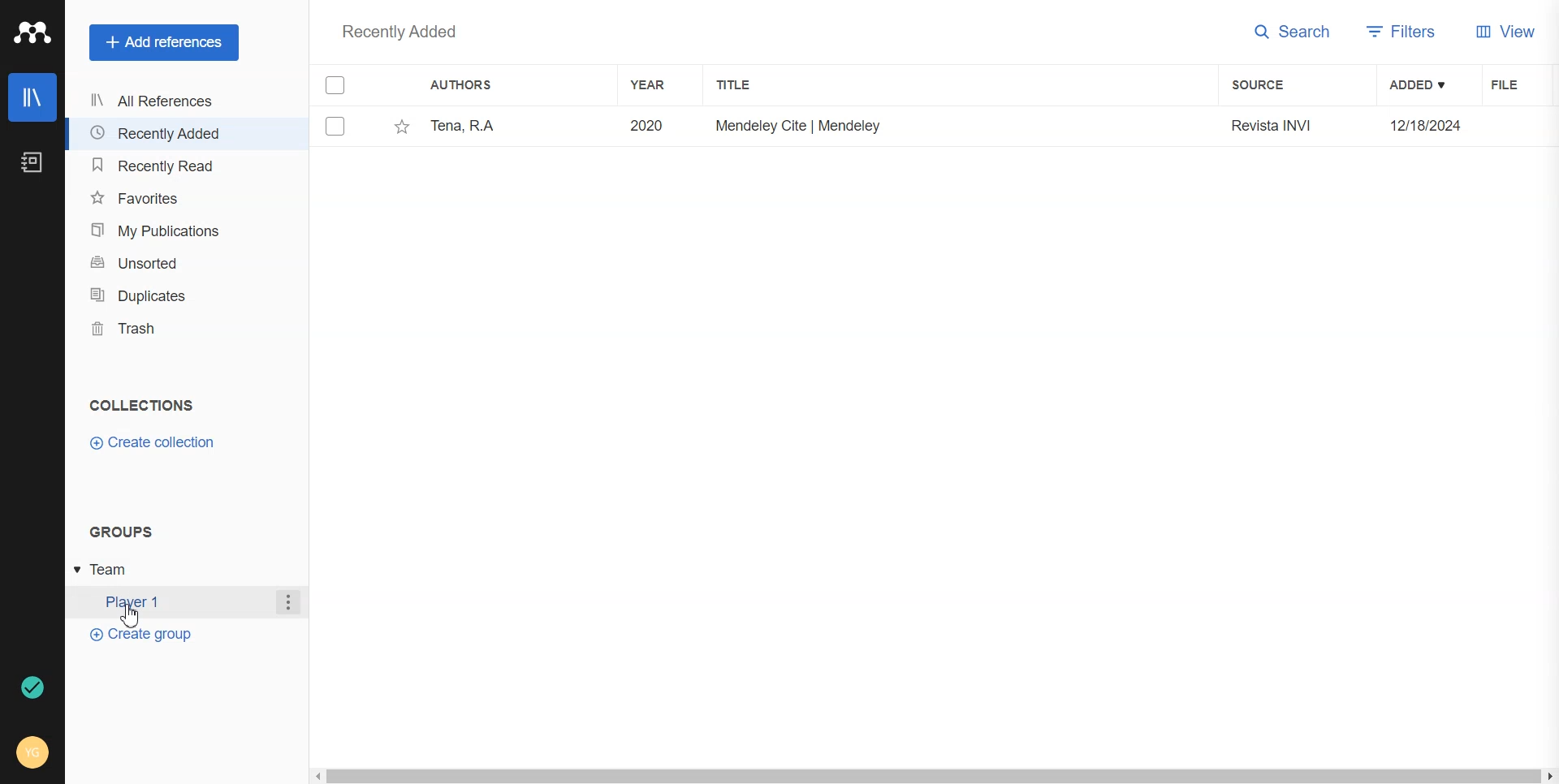 The image size is (1559, 784). What do you see at coordinates (164, 102) in the screenshot?
I see `All References` at bounding box center [164, 102].